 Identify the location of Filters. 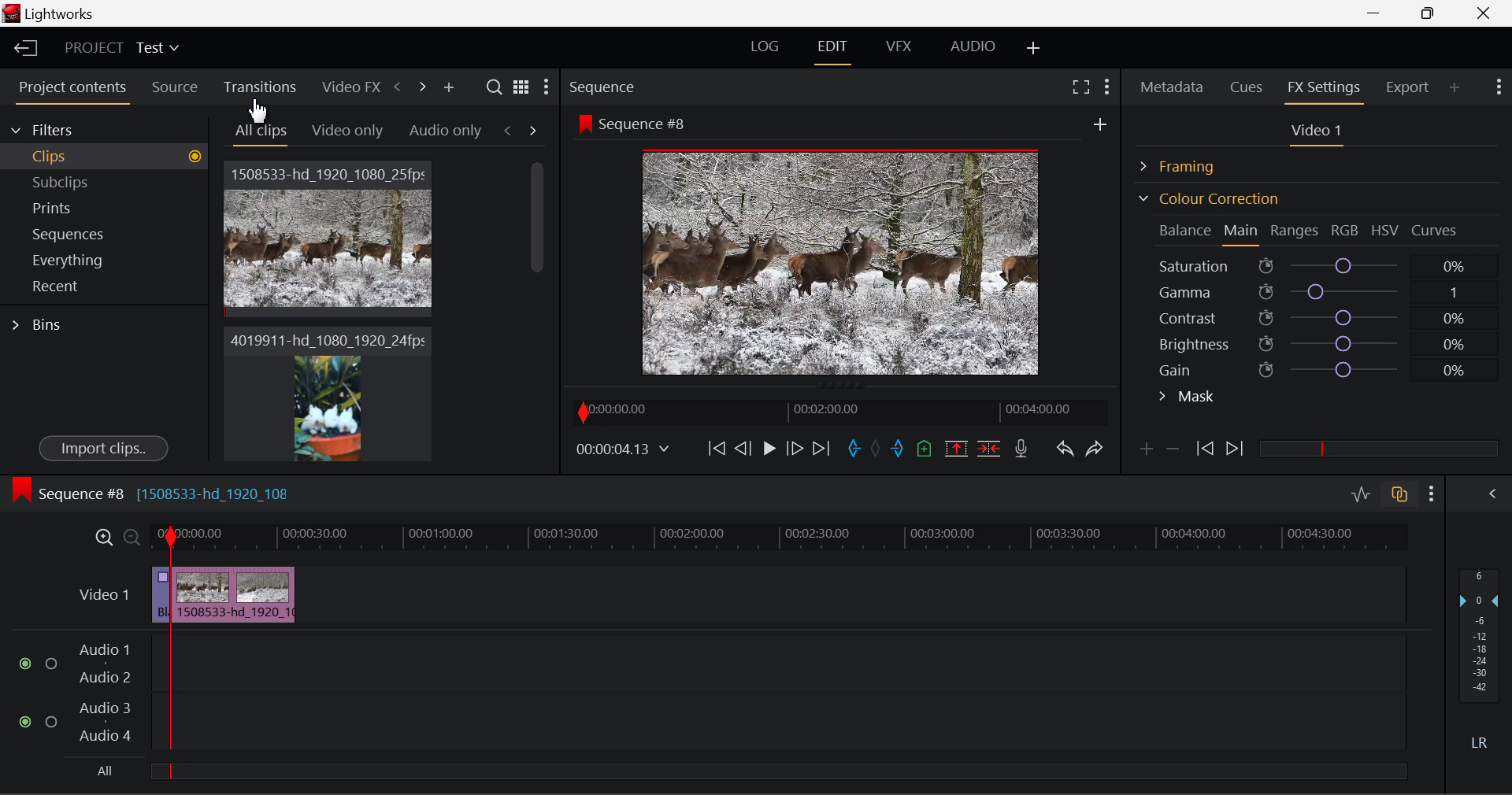
(57, 128).